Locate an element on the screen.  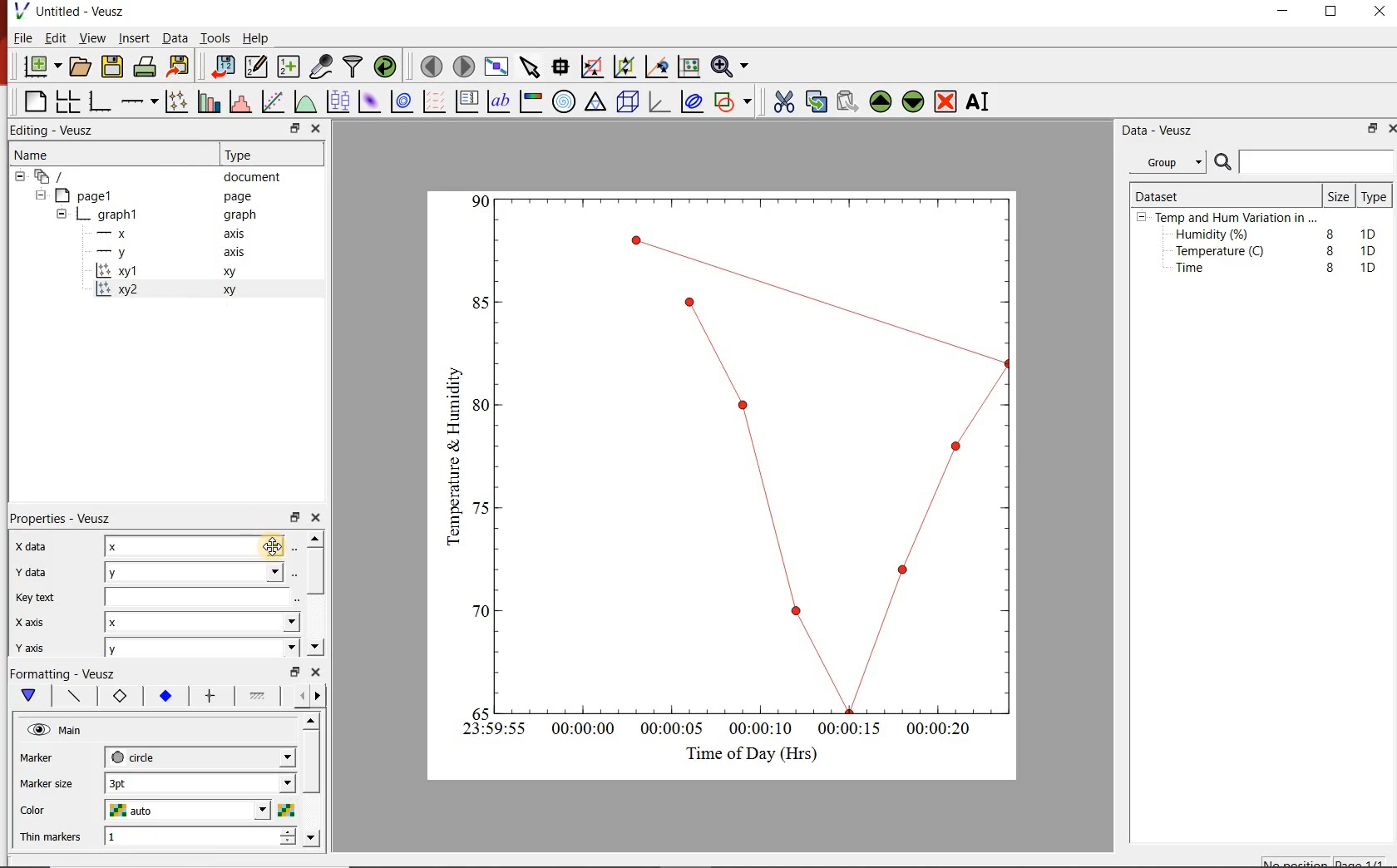
Help is located at coordinates (257, 37).